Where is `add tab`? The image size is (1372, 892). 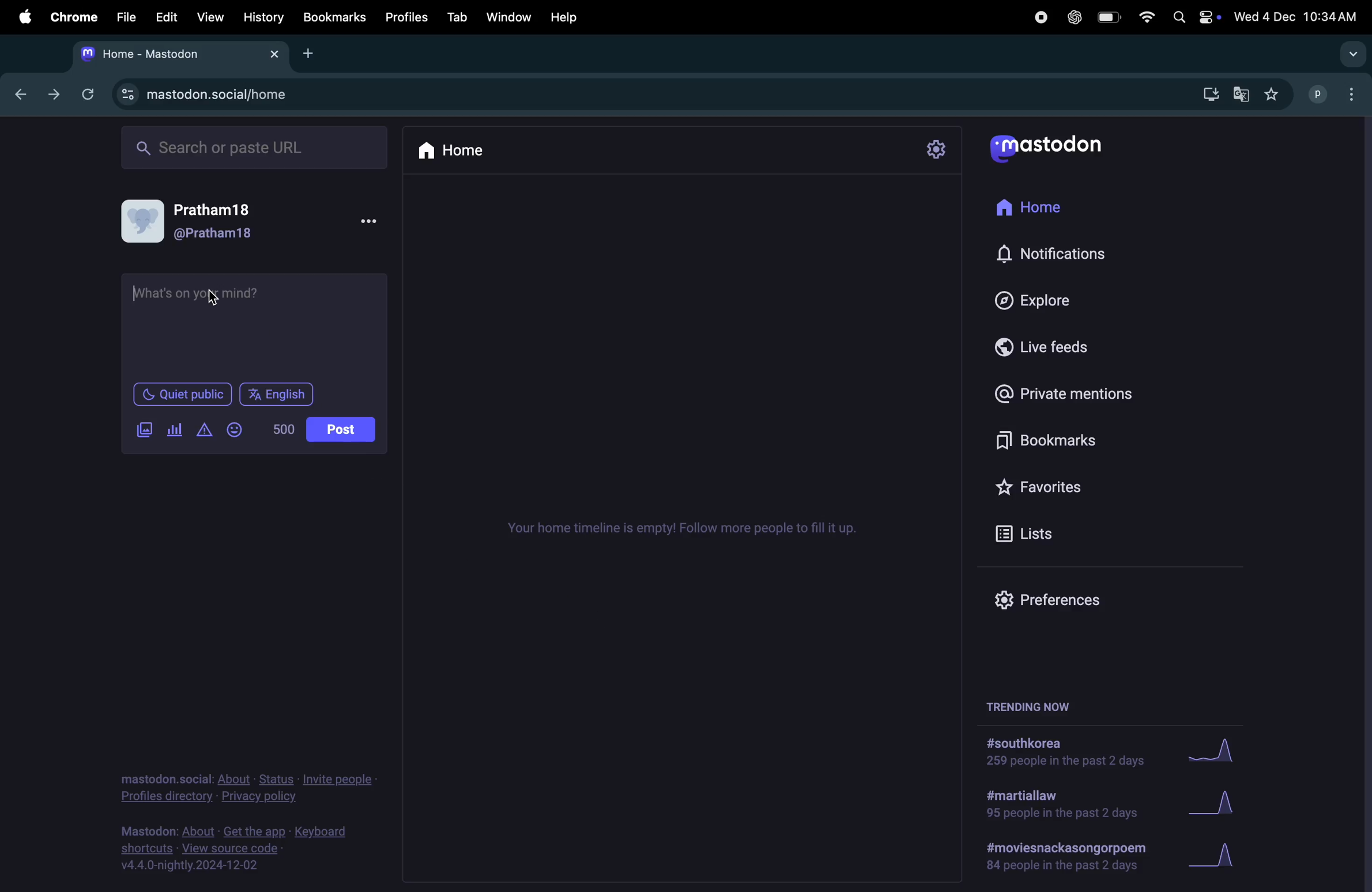 add tab is located at coordinates (310, 52).